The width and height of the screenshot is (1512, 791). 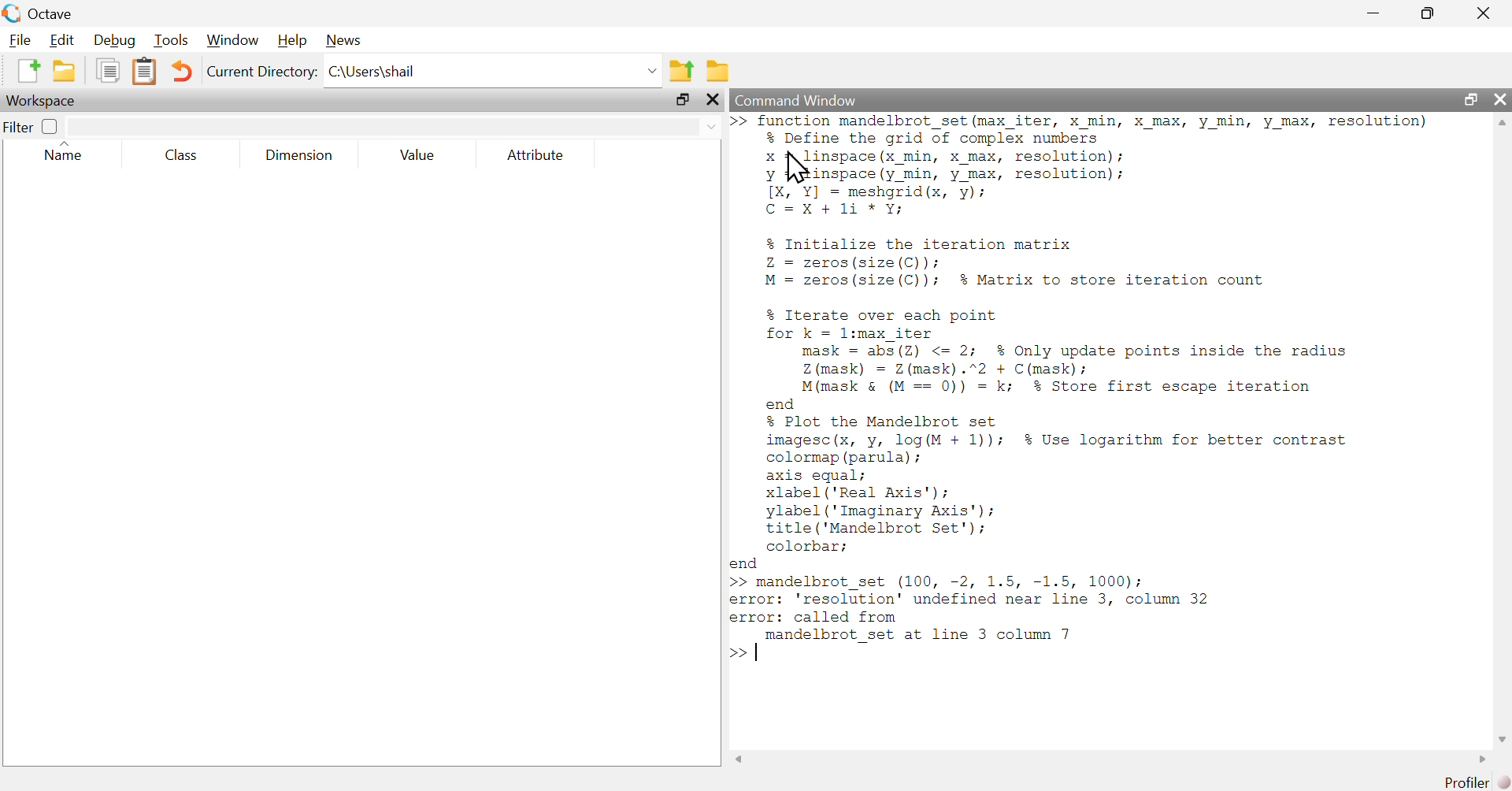 I want to click on maximize, so click(x=1429, y=13).